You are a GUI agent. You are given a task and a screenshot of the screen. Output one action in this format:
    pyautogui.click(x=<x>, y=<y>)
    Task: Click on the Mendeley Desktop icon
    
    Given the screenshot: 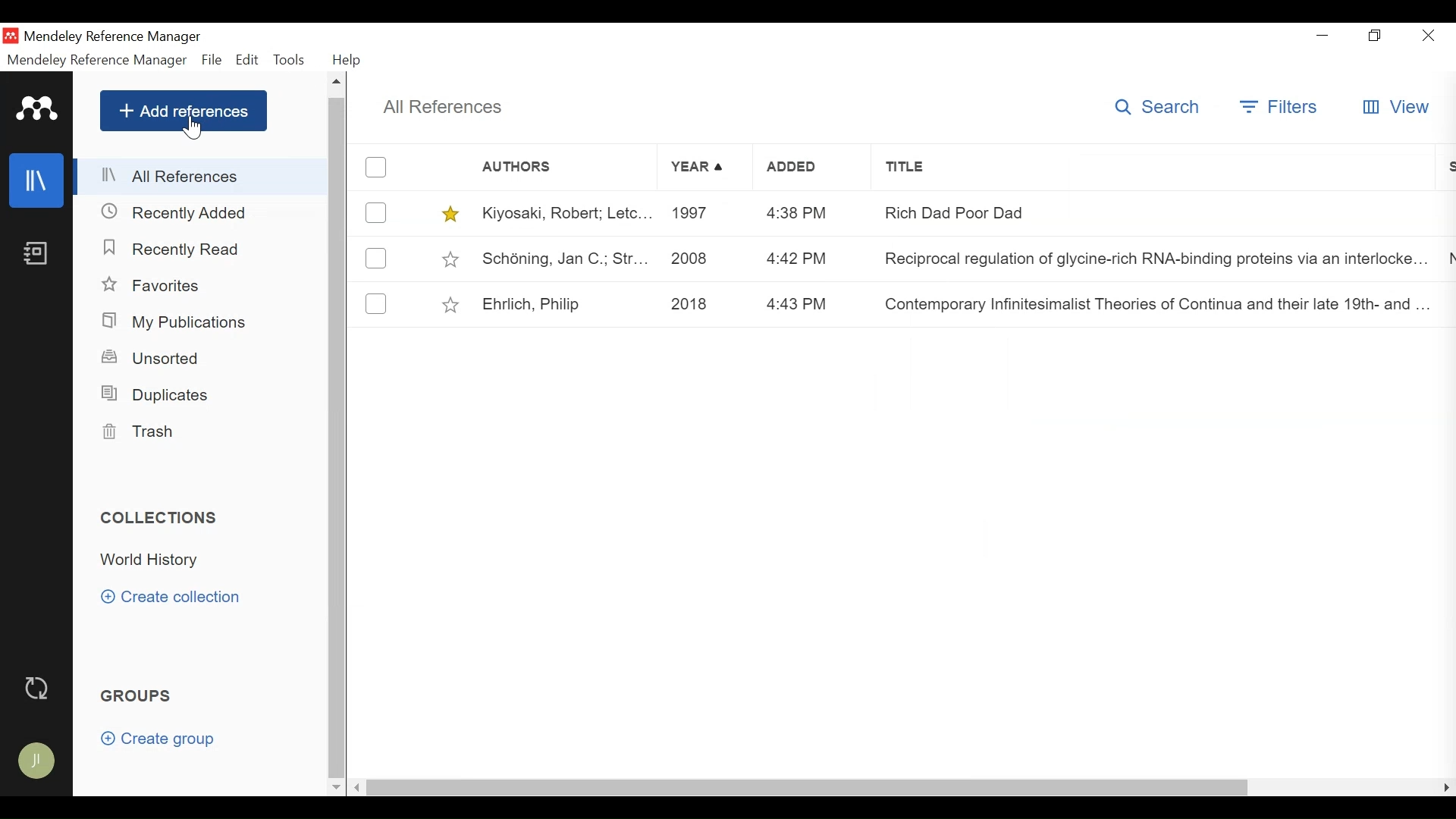 What is the action you would take?
    pyautogui.click(x=10, y=35)
    